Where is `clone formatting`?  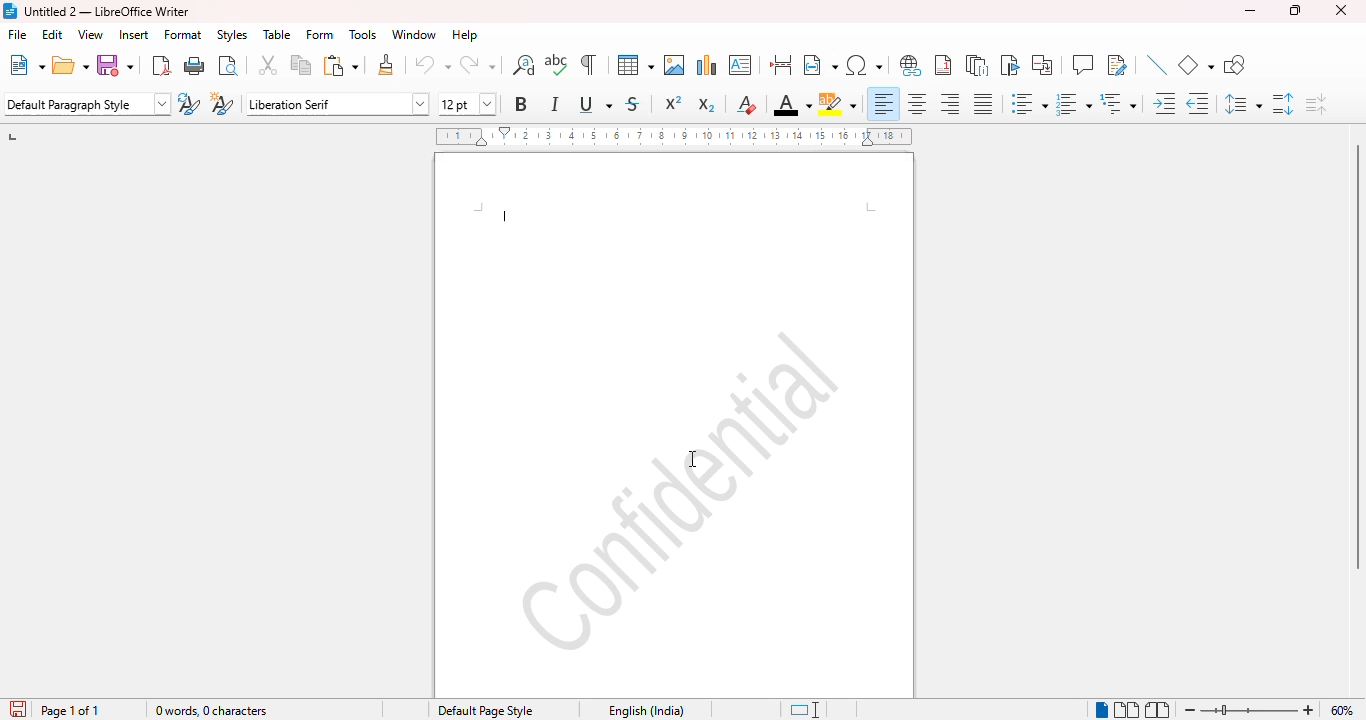 clone formatting is located at coordinates (387, 64).